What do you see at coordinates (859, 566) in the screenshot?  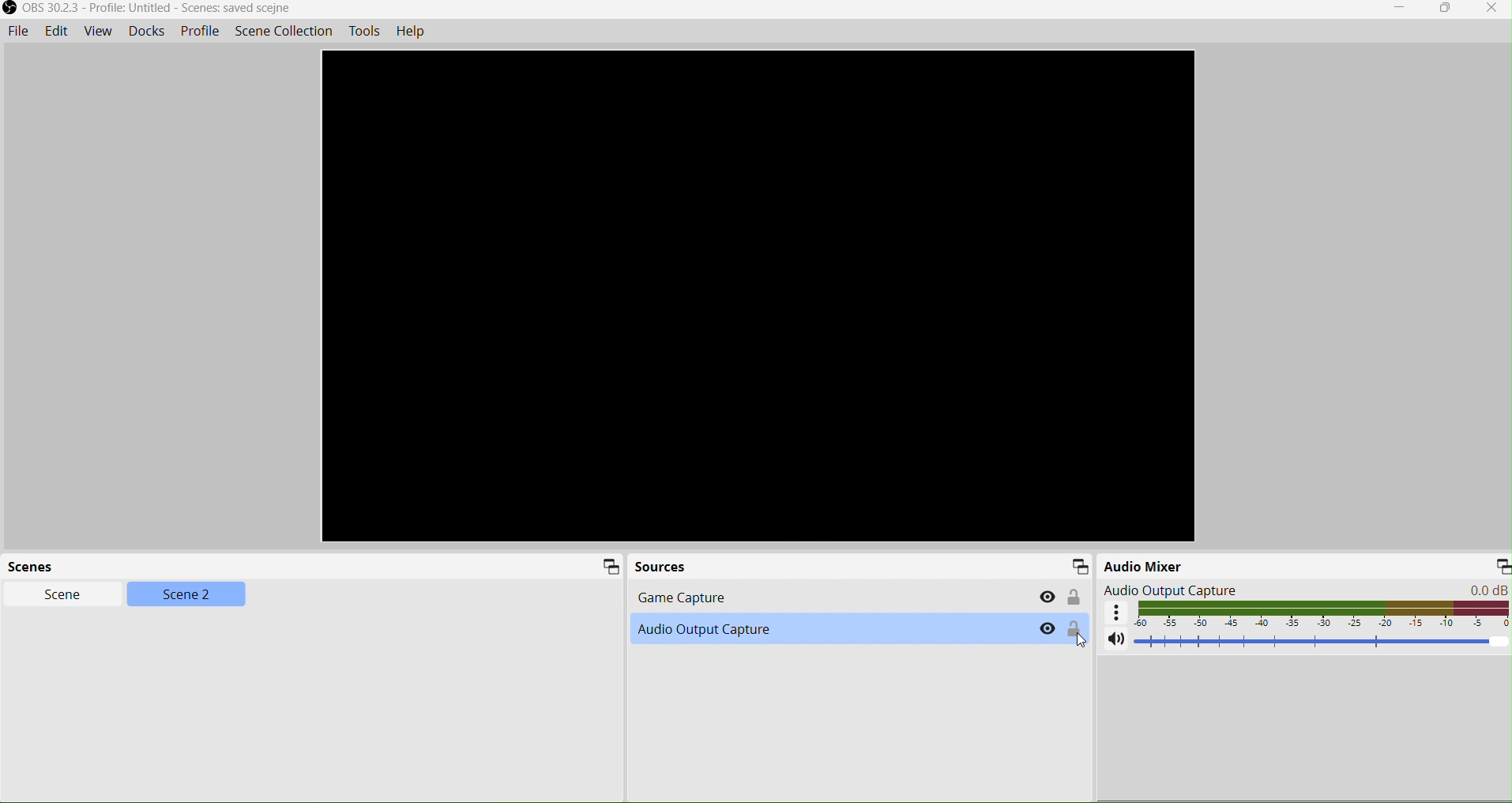 I see `Sources` at bounding box center [859, 566].